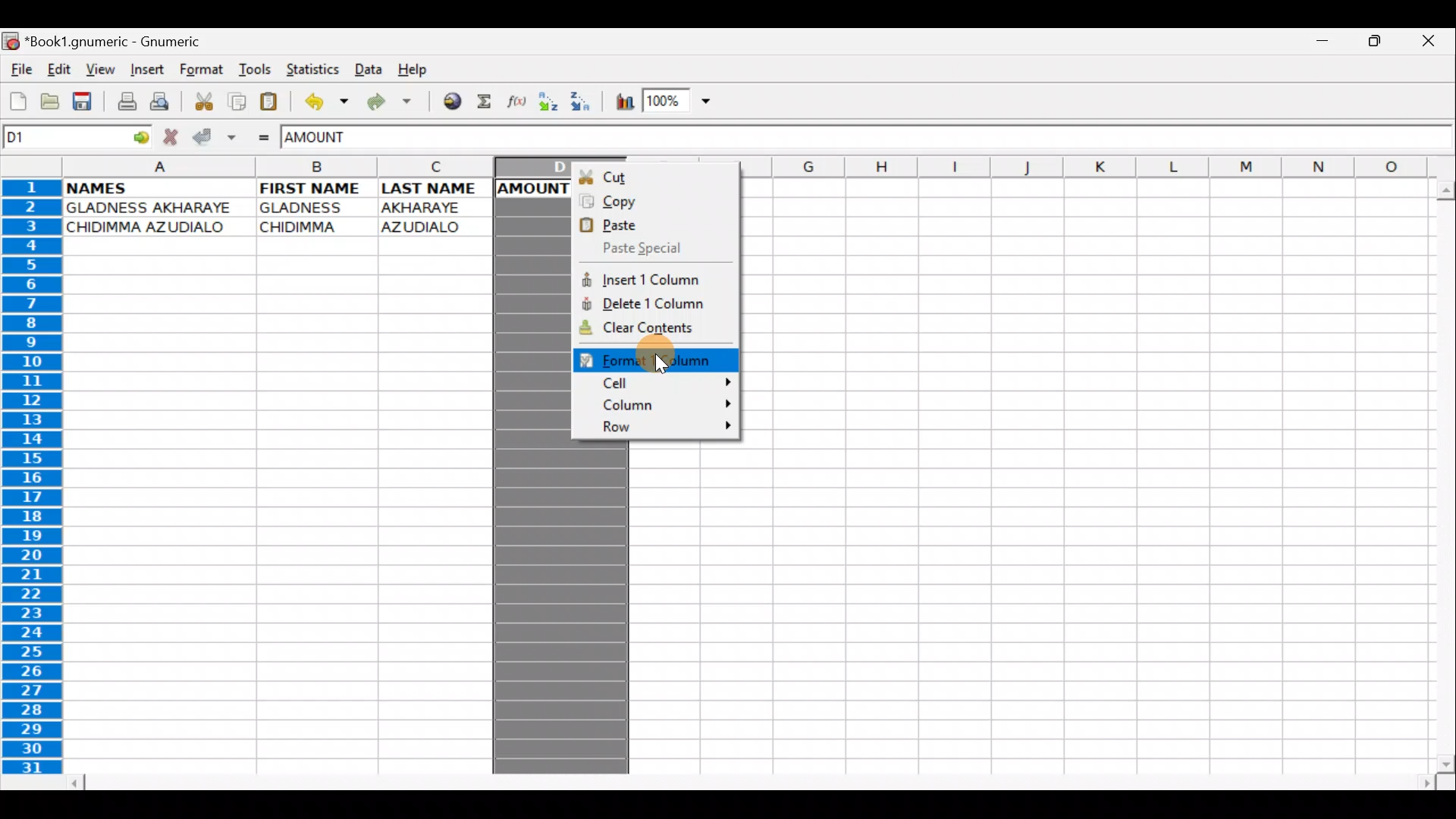 The height and width of the screenshot is (819, 1456). I want to click on Insert hyperlink, so click(447, 102).